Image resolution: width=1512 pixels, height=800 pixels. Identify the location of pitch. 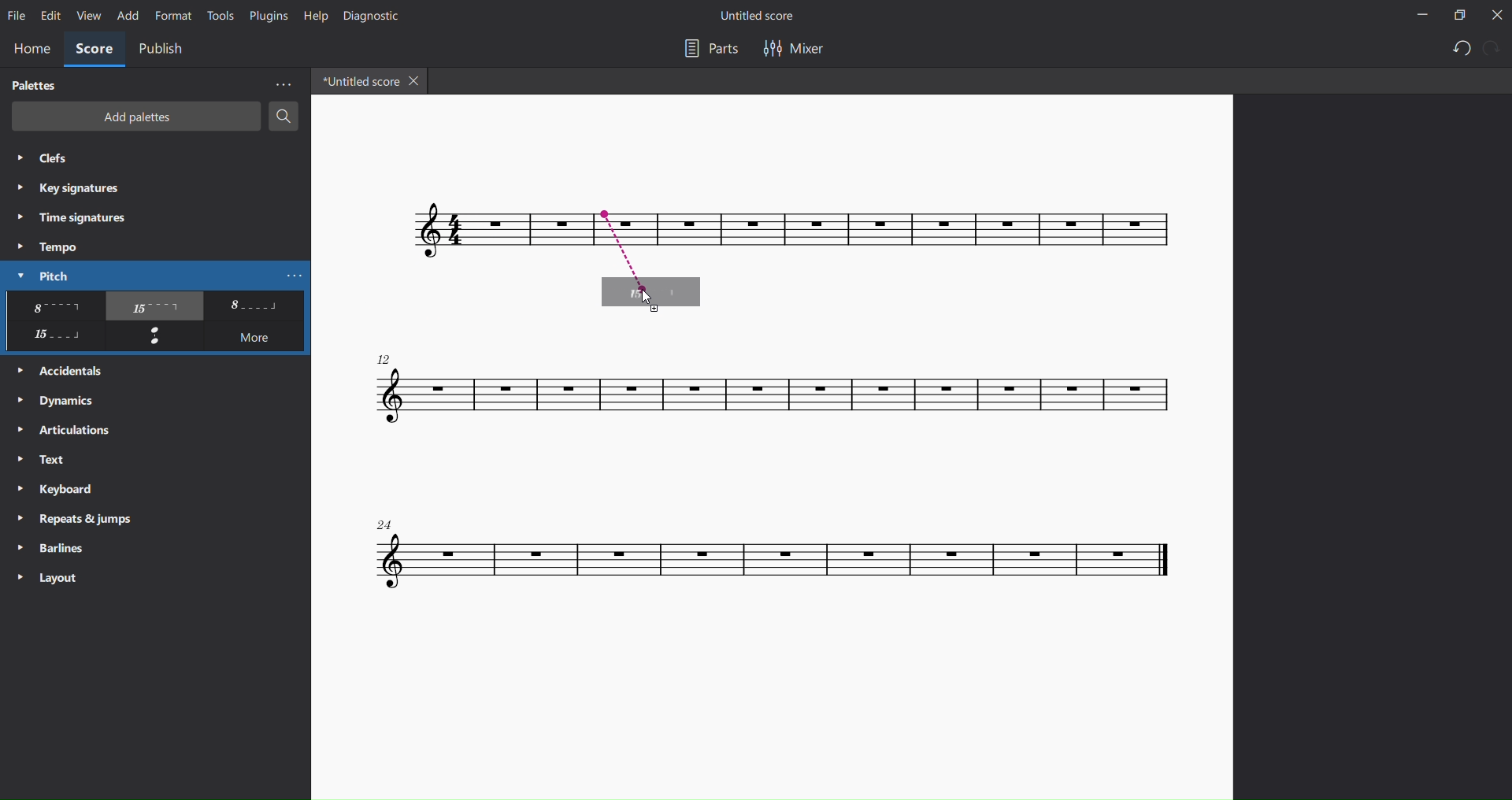
(38, 275).